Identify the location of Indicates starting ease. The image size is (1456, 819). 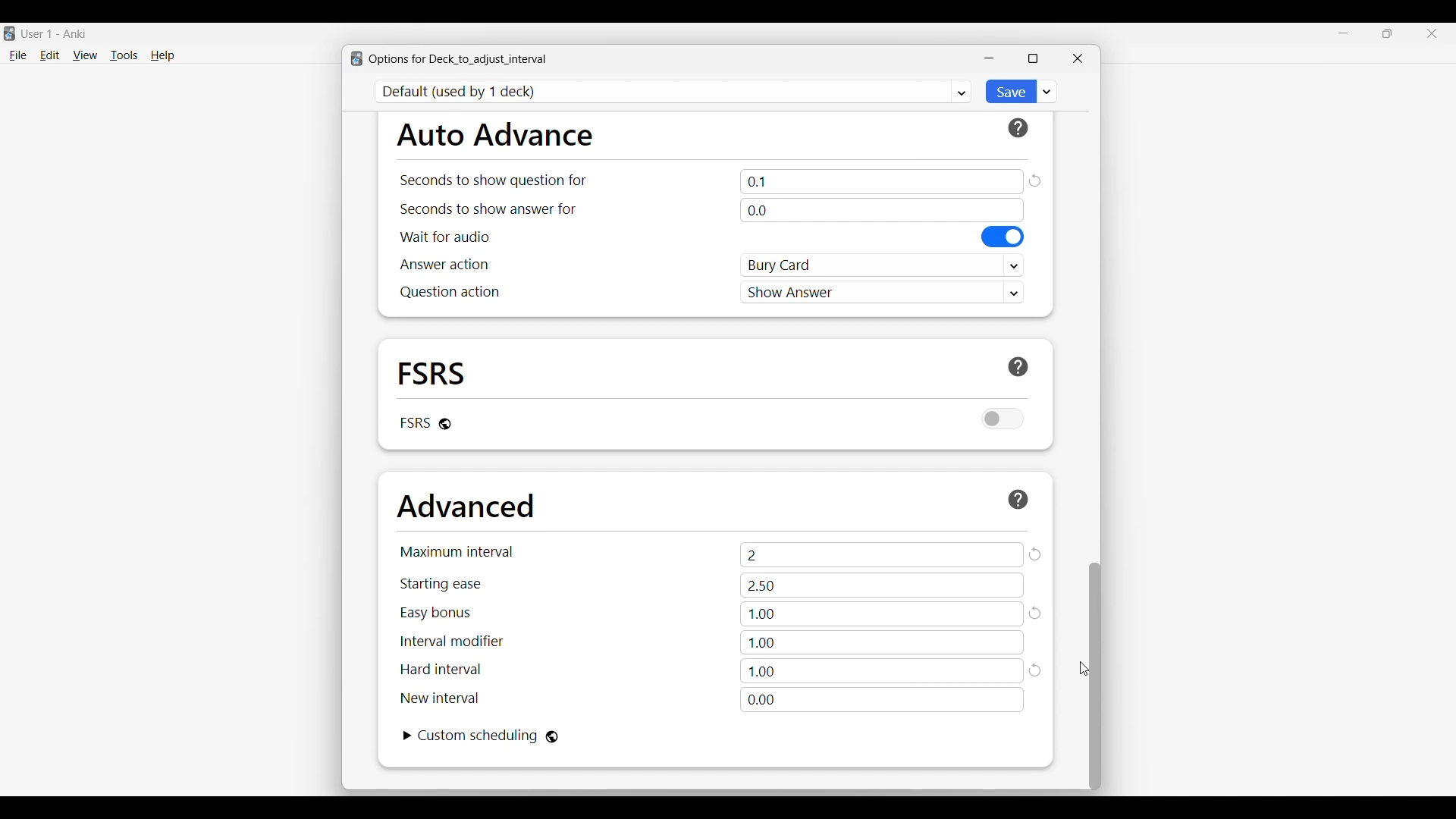
(442, 584).